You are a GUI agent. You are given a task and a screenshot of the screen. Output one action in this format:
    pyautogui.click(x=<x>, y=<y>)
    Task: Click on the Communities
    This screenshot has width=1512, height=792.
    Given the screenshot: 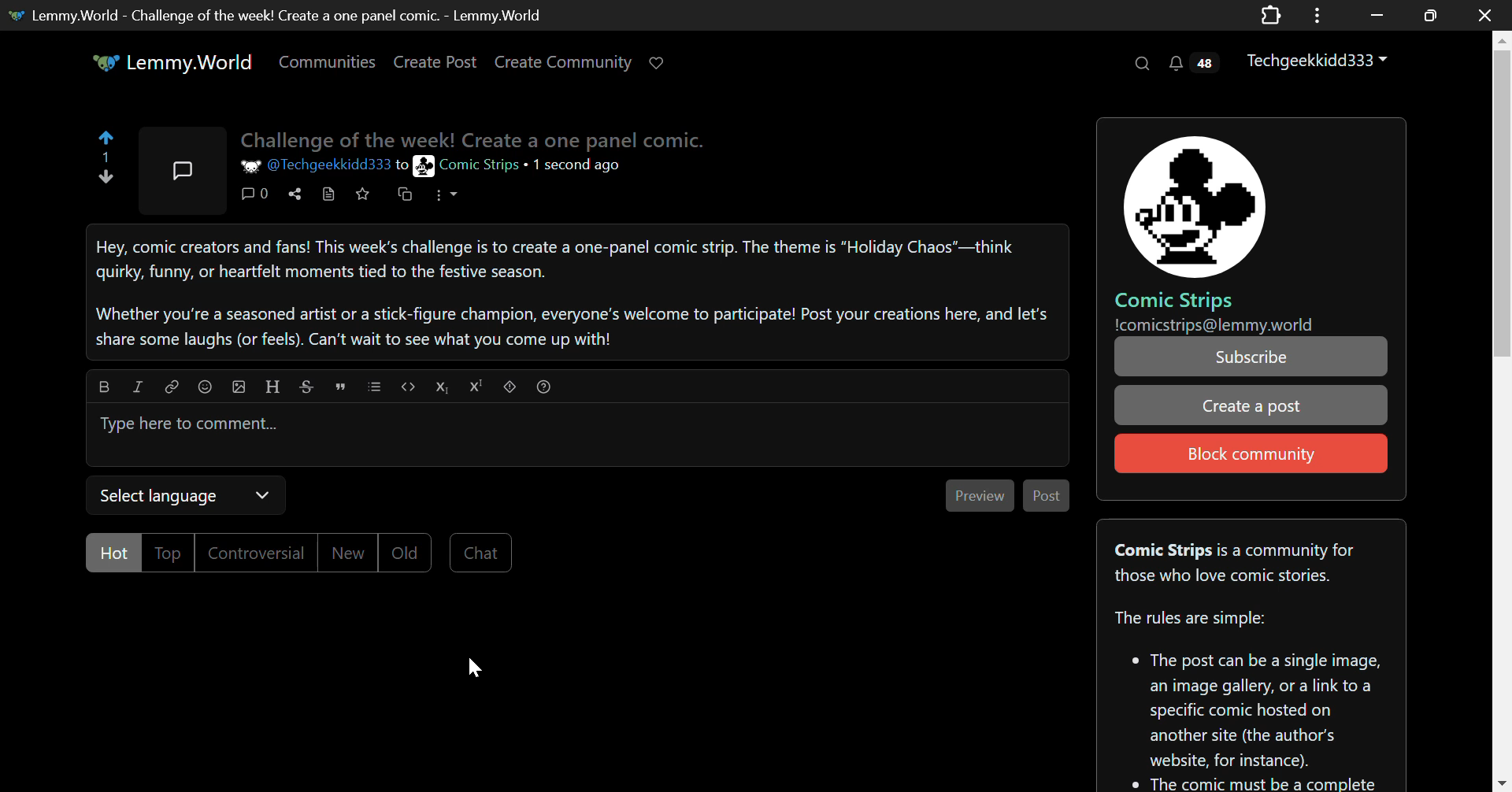 What is the action you would take?
    pyautogui.click(x=326, y=63)
    